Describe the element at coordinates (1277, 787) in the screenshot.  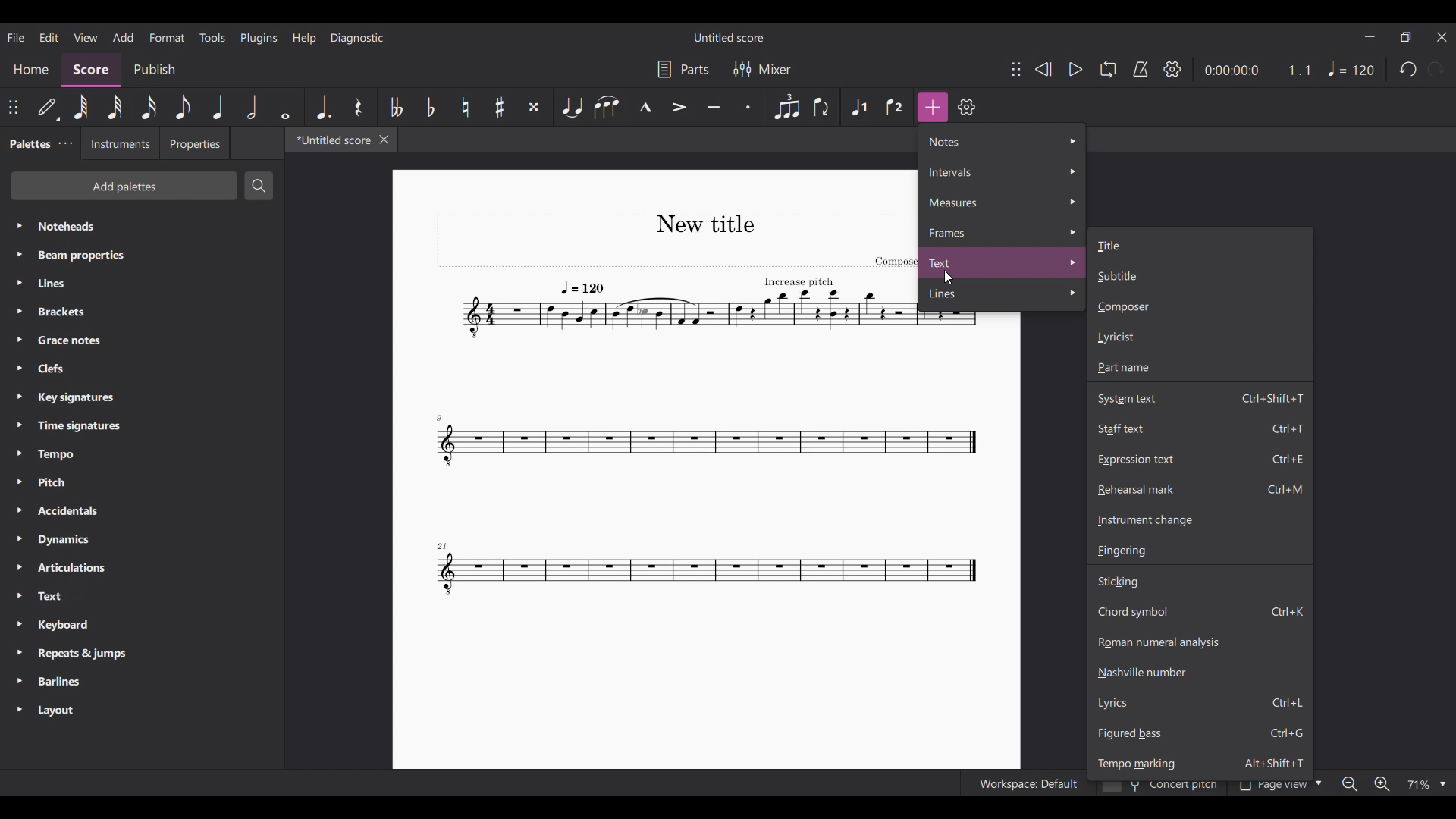
I see `Page view options` at that location.